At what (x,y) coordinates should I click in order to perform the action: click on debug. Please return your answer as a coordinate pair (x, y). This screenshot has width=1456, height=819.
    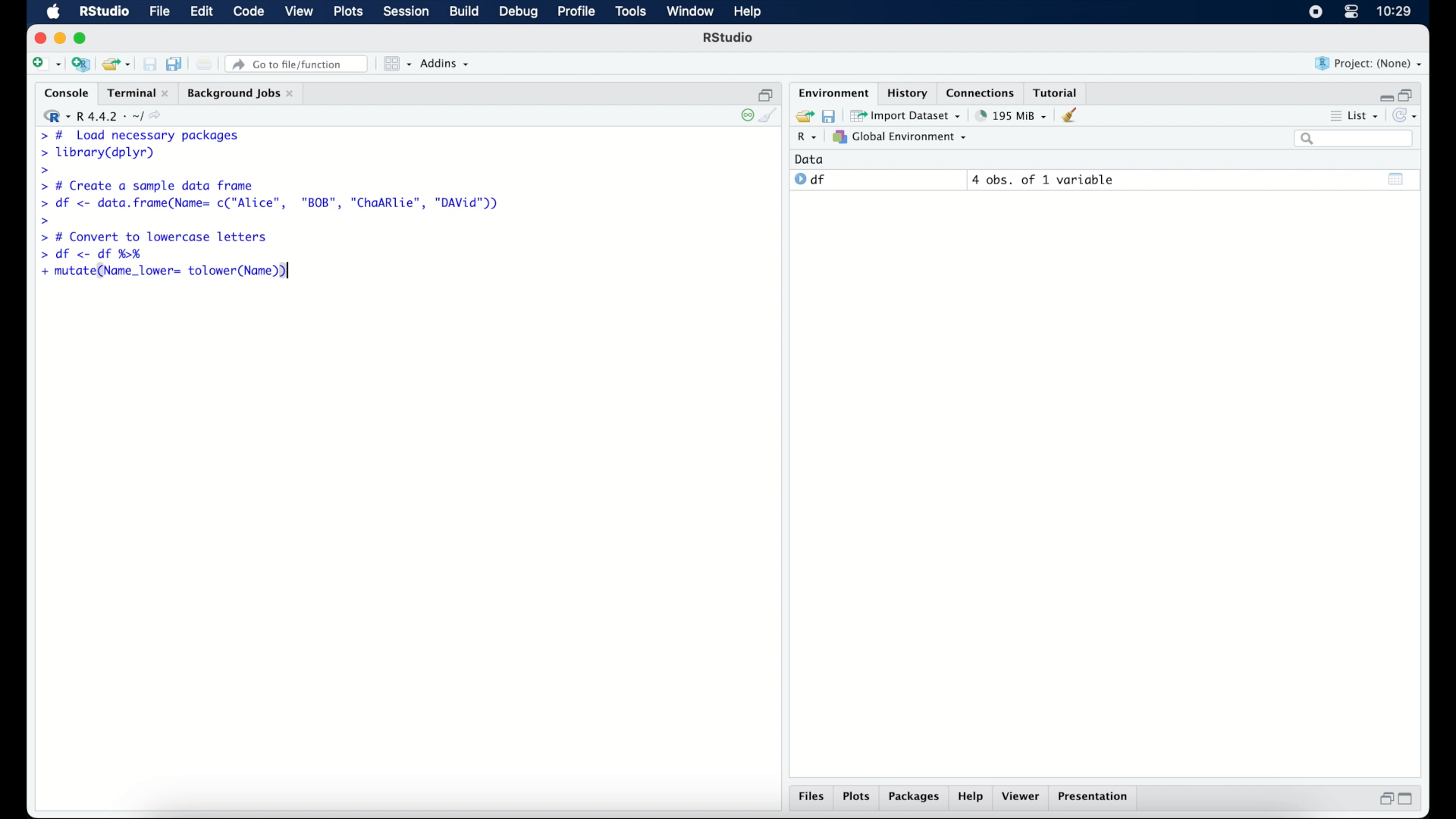
    Looking at the image, I should click on (519, 13).